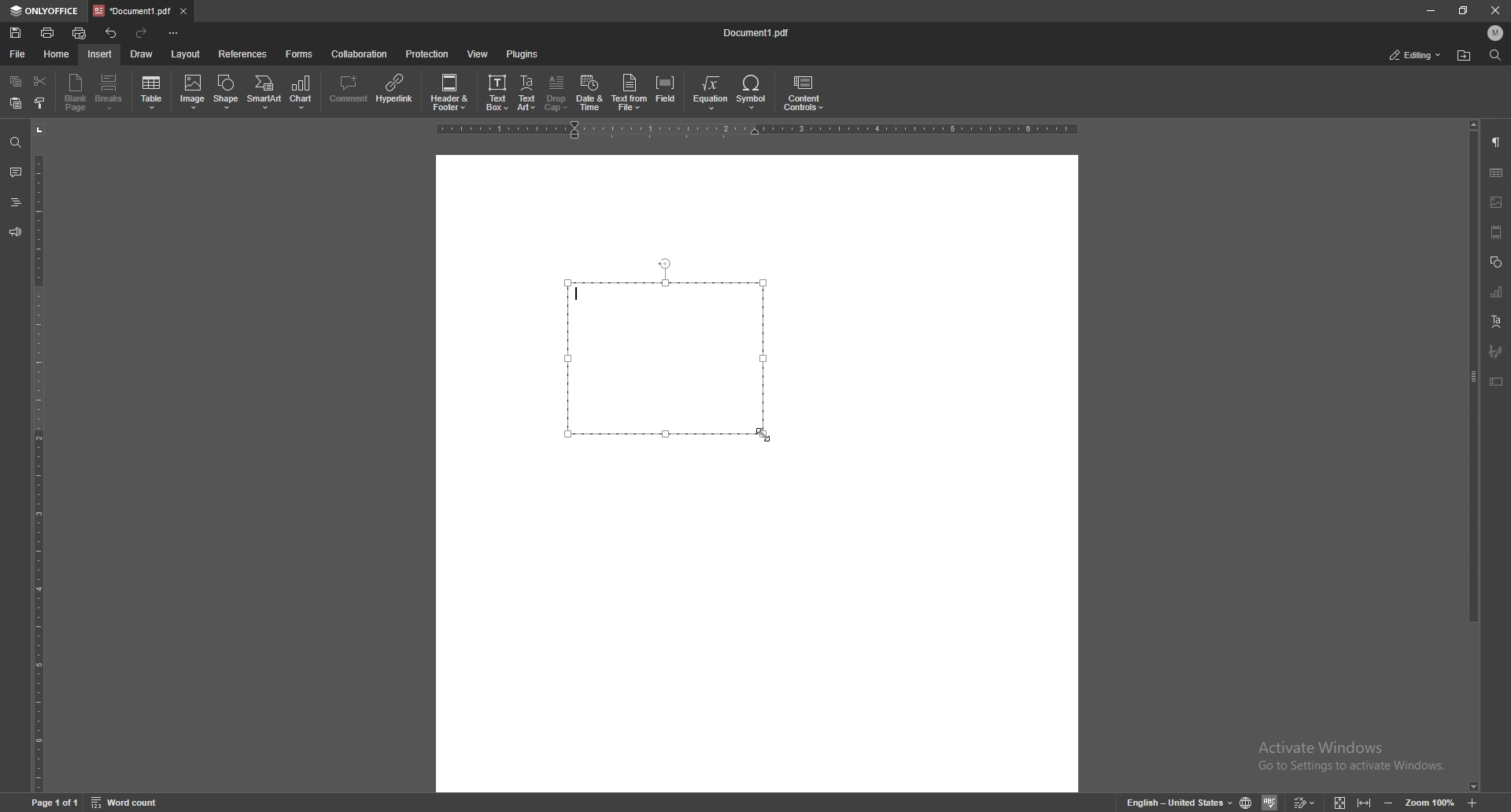 The width and height of the screenshot is (1511, 812). I want to click on blank page, so click(75, 92).